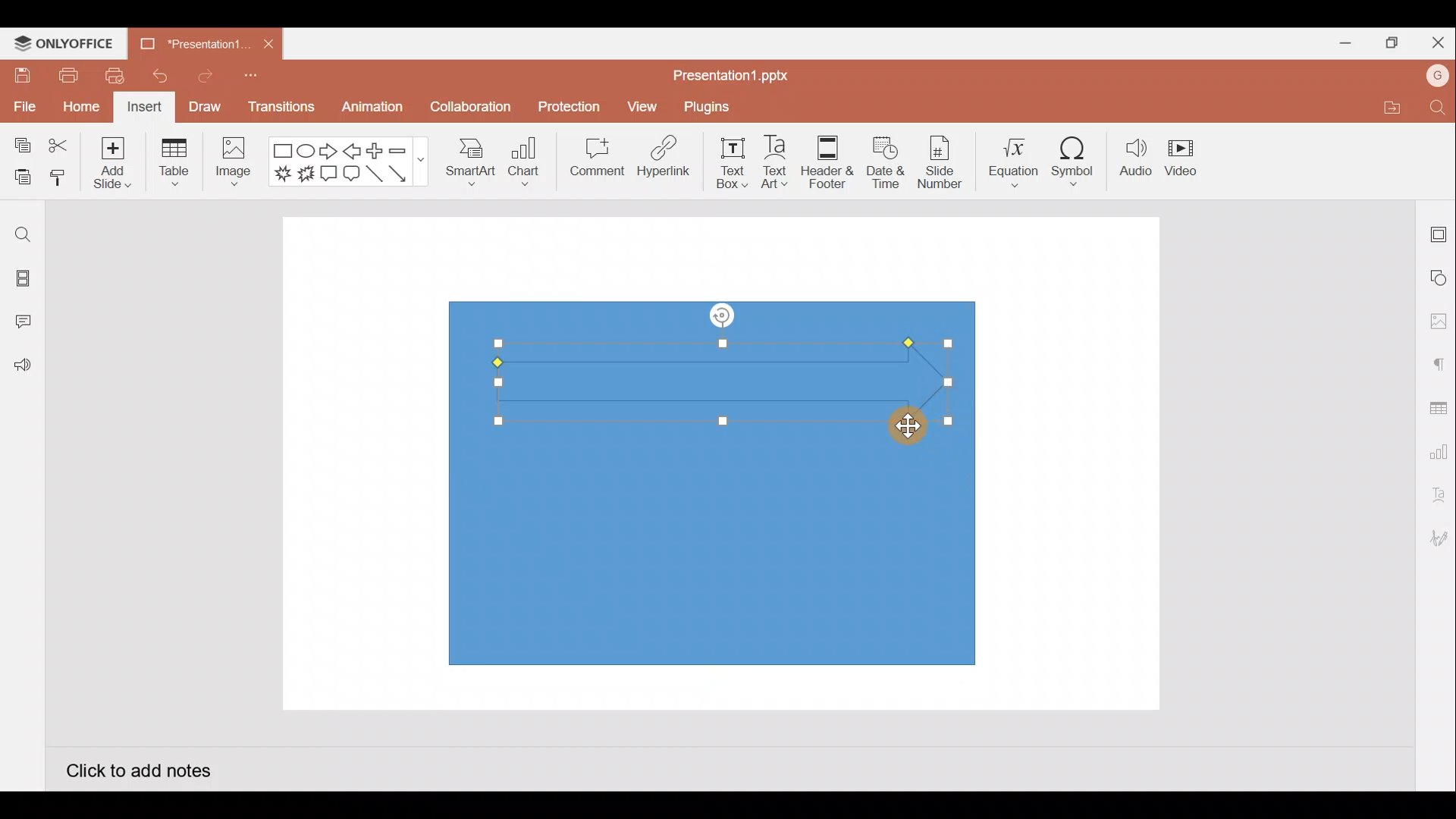  Describe the element at coordinates (1439, 107) in the screenshot. I see `Find` at that location.